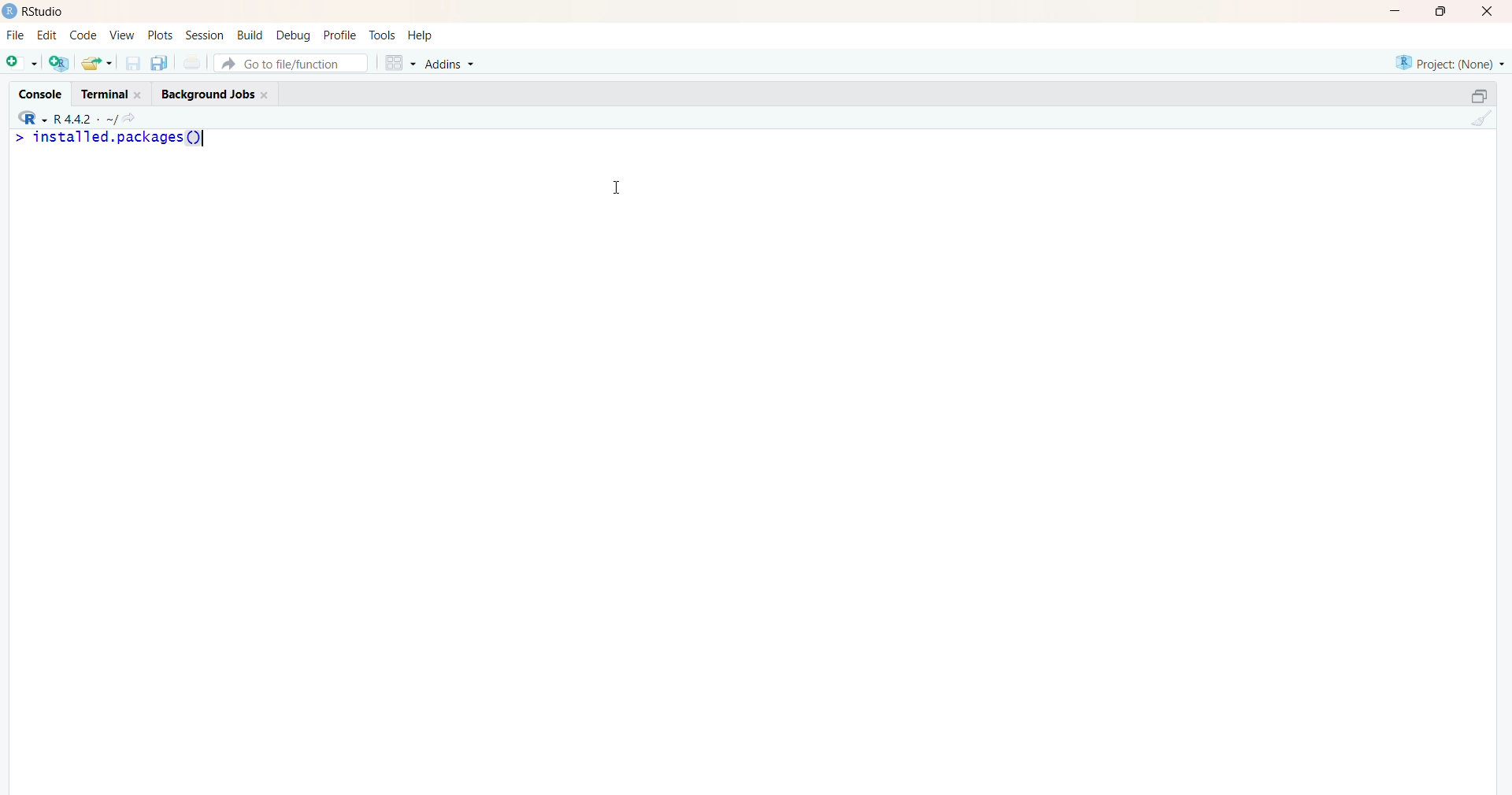 The height and width of the screenshot is (795, 1512). Describe the element at coordinates (130, 120) in the screenshot. I see `view the current working directory` at that location.